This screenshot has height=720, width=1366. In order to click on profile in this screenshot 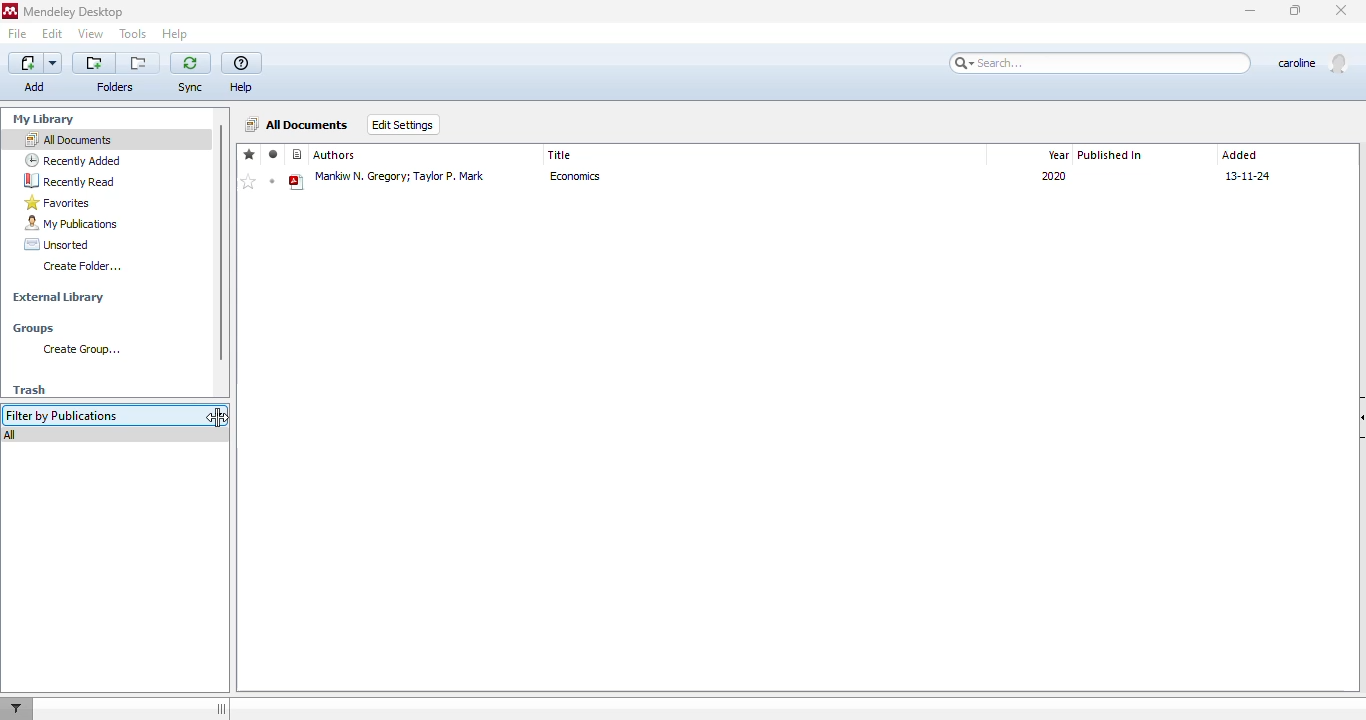, I will do `click(1311, 63)`.